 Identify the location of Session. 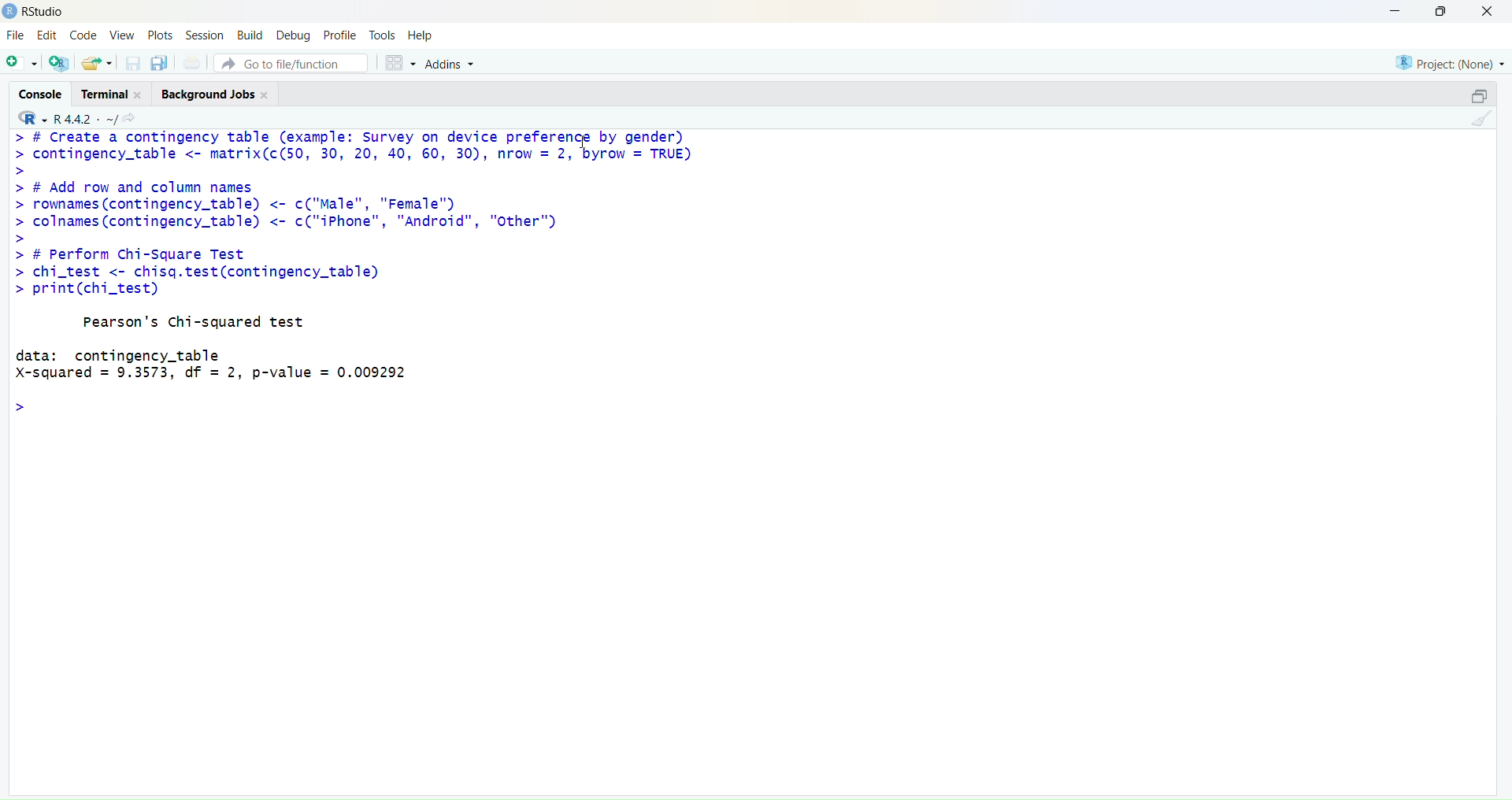
(205, 35).